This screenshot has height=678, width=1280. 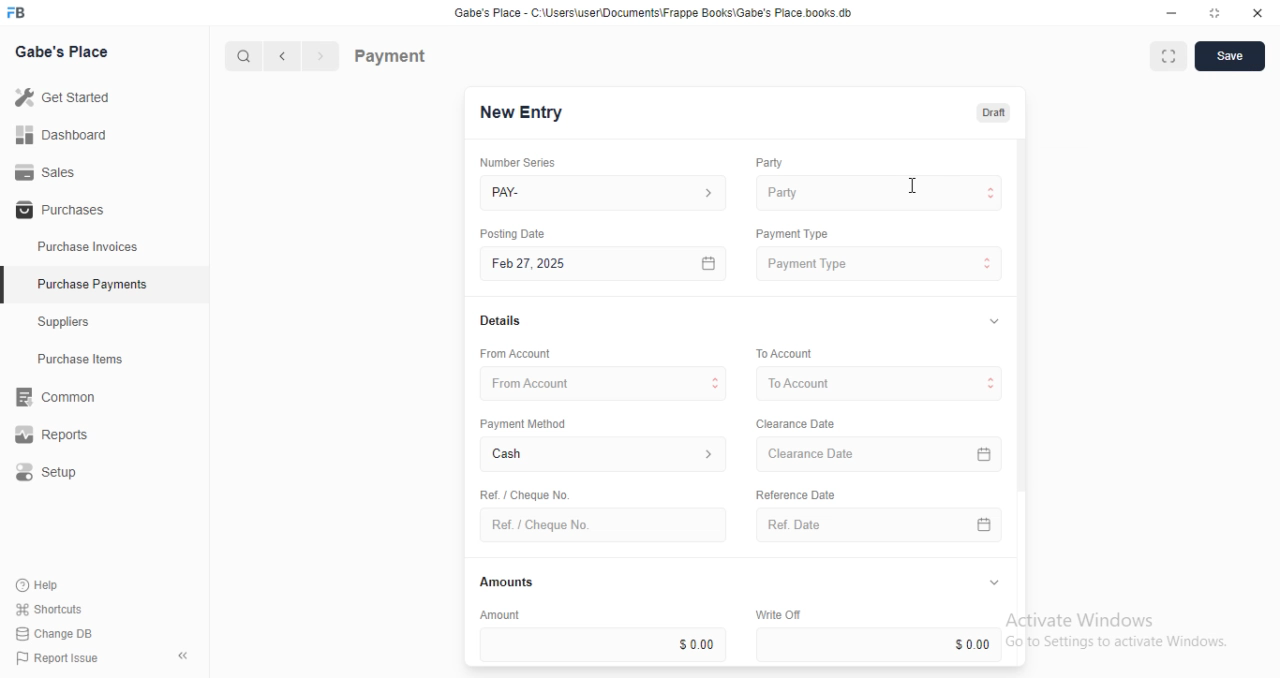 I want to click on Write Off, so click(x=776, y=614).